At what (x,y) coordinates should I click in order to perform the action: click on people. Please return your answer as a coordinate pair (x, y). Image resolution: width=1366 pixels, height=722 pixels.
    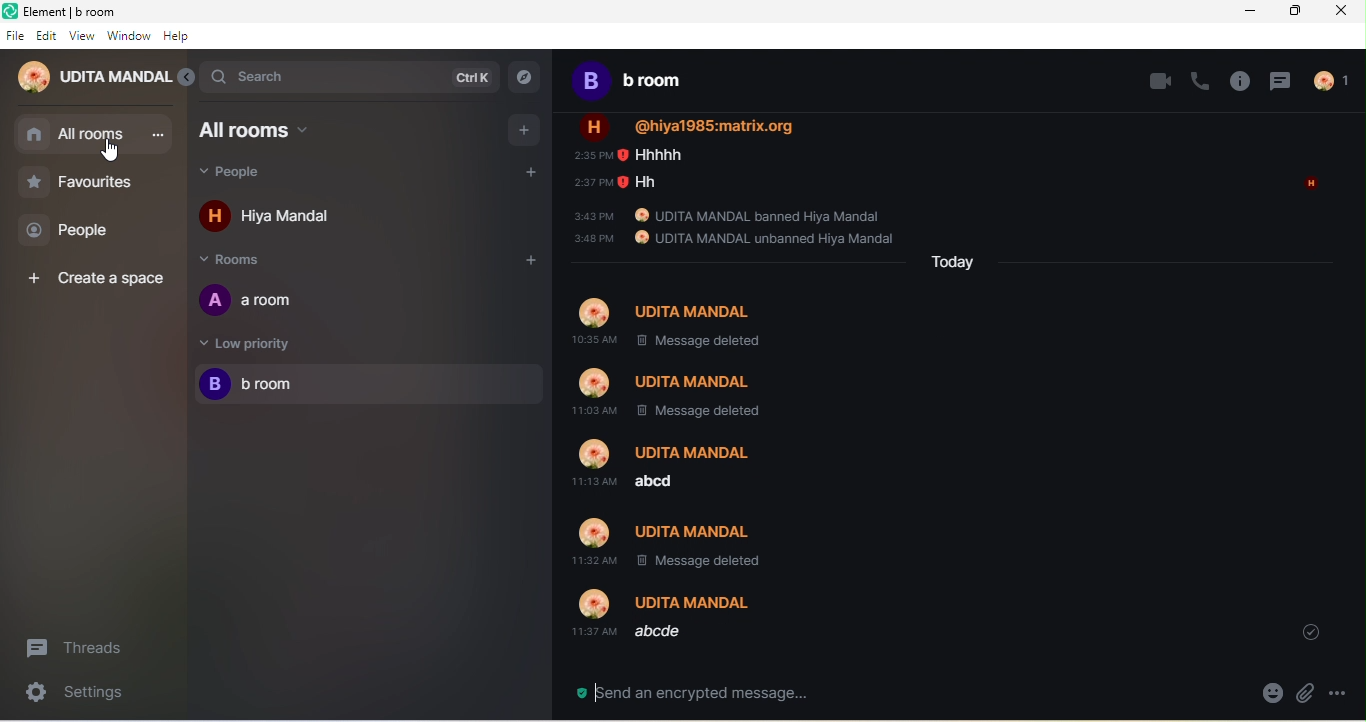
    Looking at the image, I should click on (80, 230).